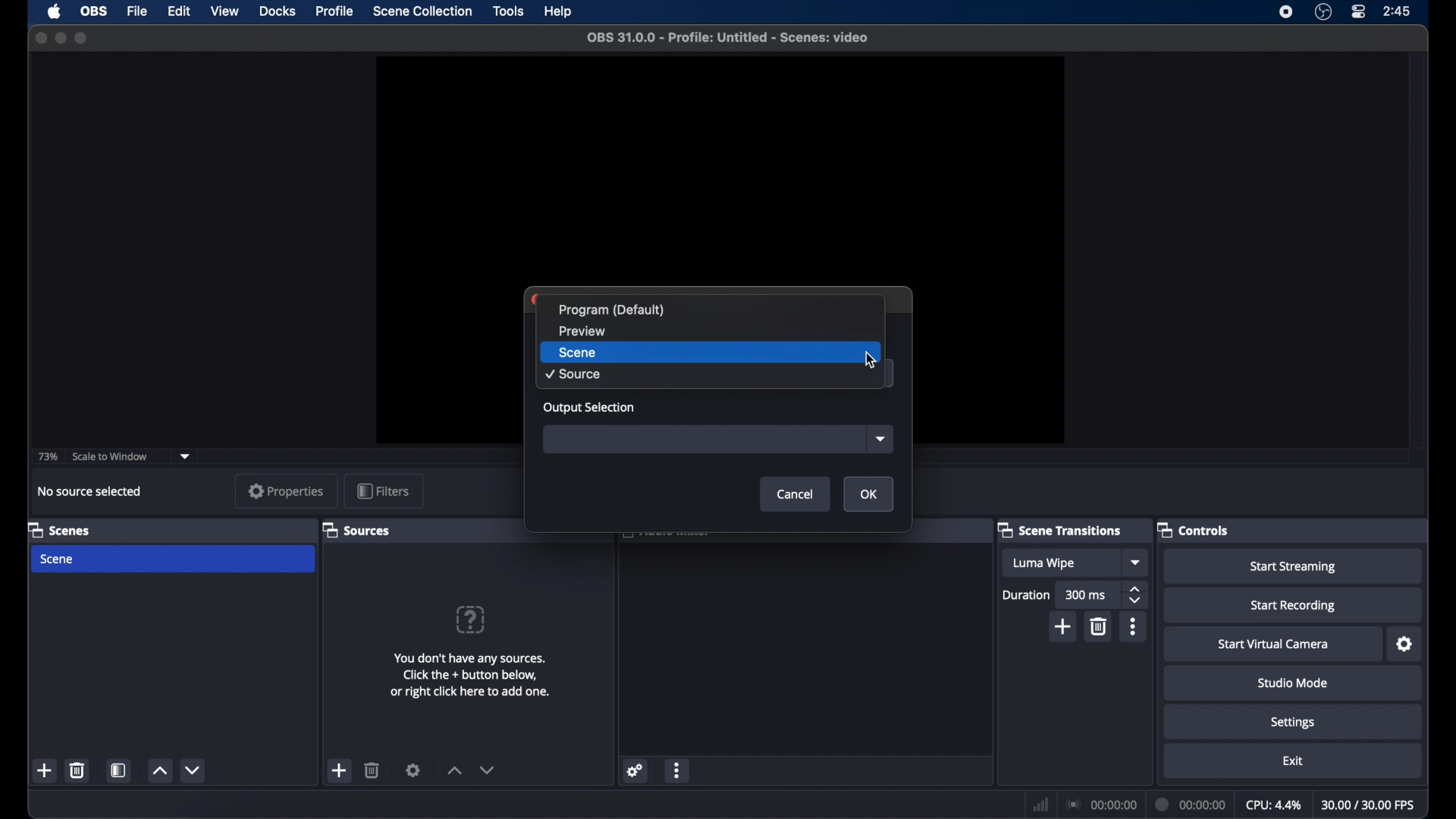  I want to click on decrement, so click(487, 770).